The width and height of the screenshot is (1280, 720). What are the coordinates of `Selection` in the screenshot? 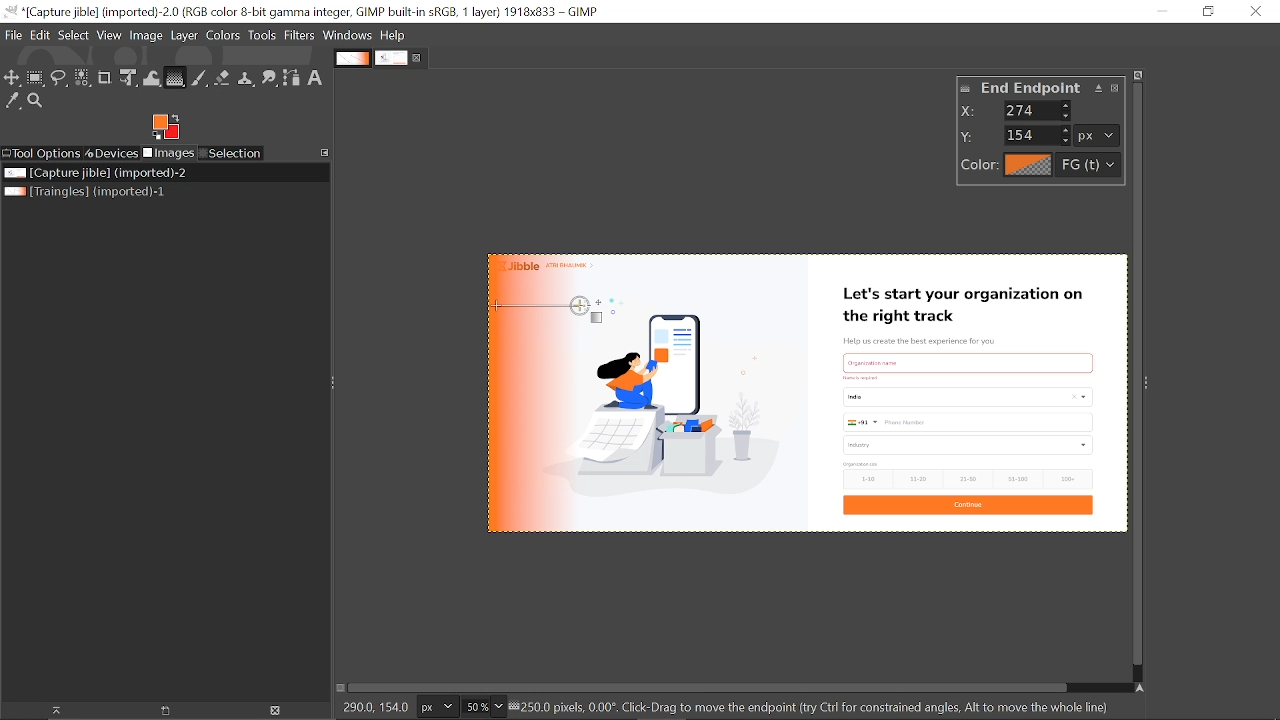 It's located at (232, 153).